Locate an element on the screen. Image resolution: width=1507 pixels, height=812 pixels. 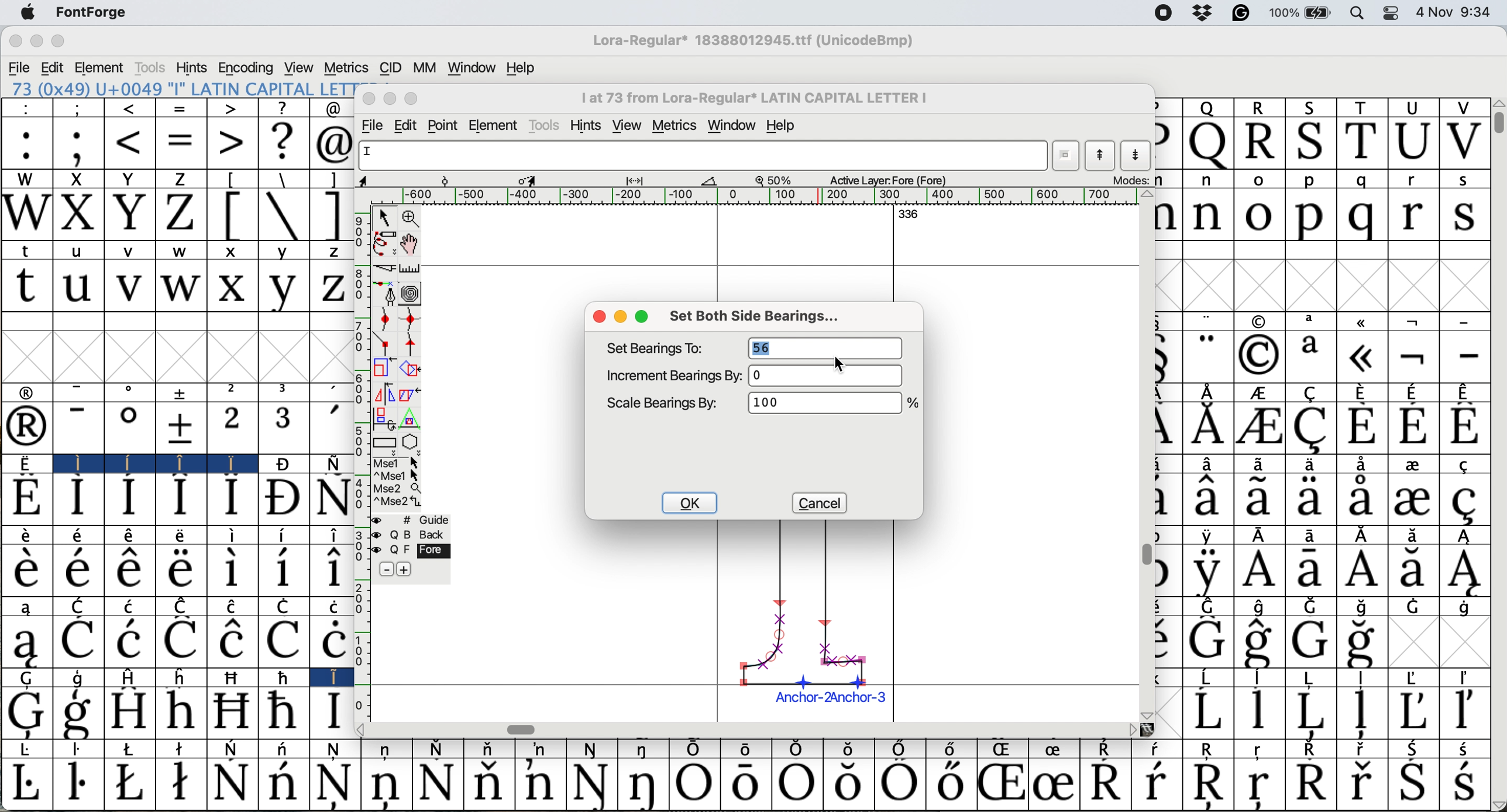
1000% is located at coordinates (824, 406).